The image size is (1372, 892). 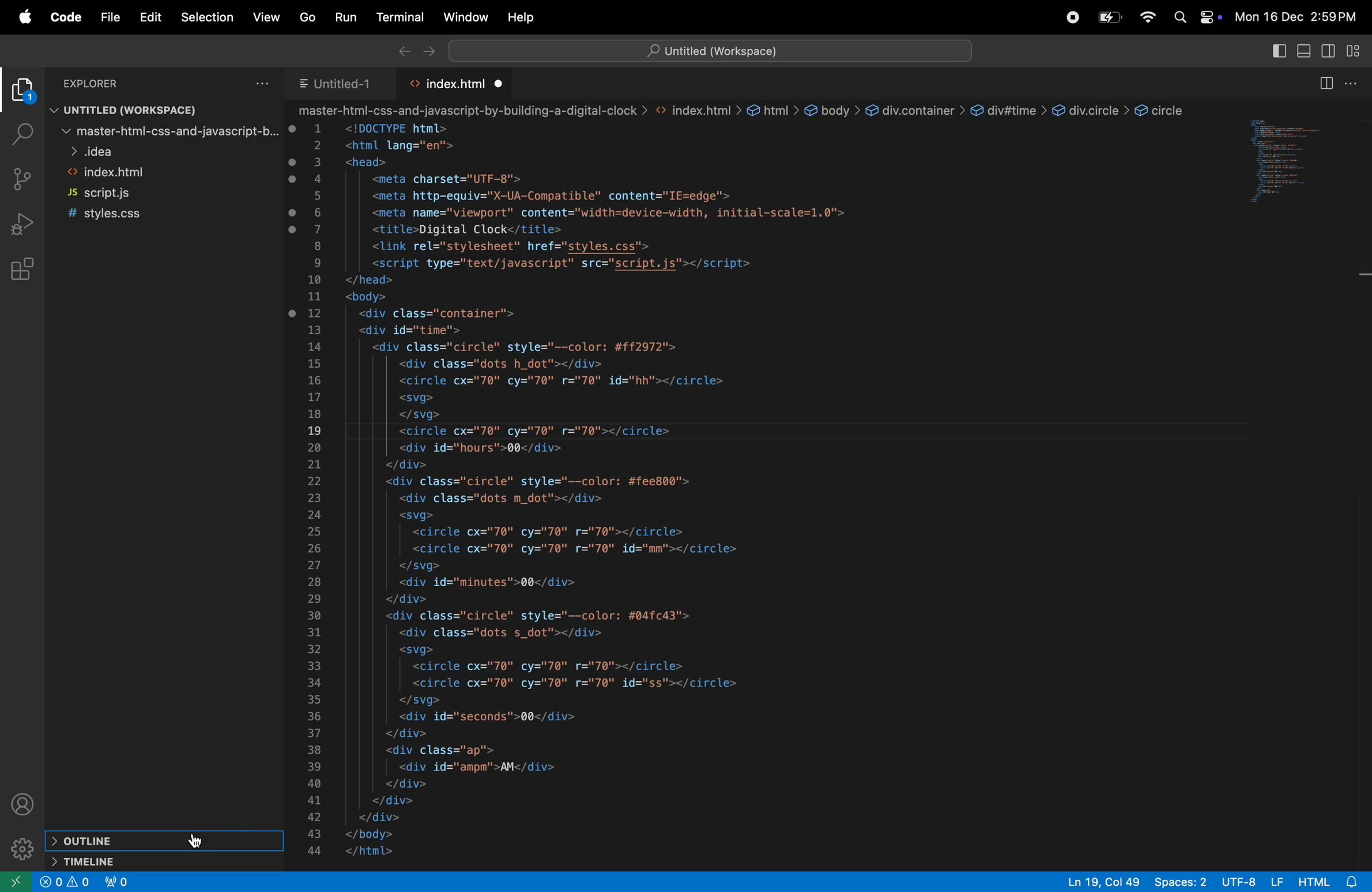 I want to click on html alert, so click(x=1328, y=882).